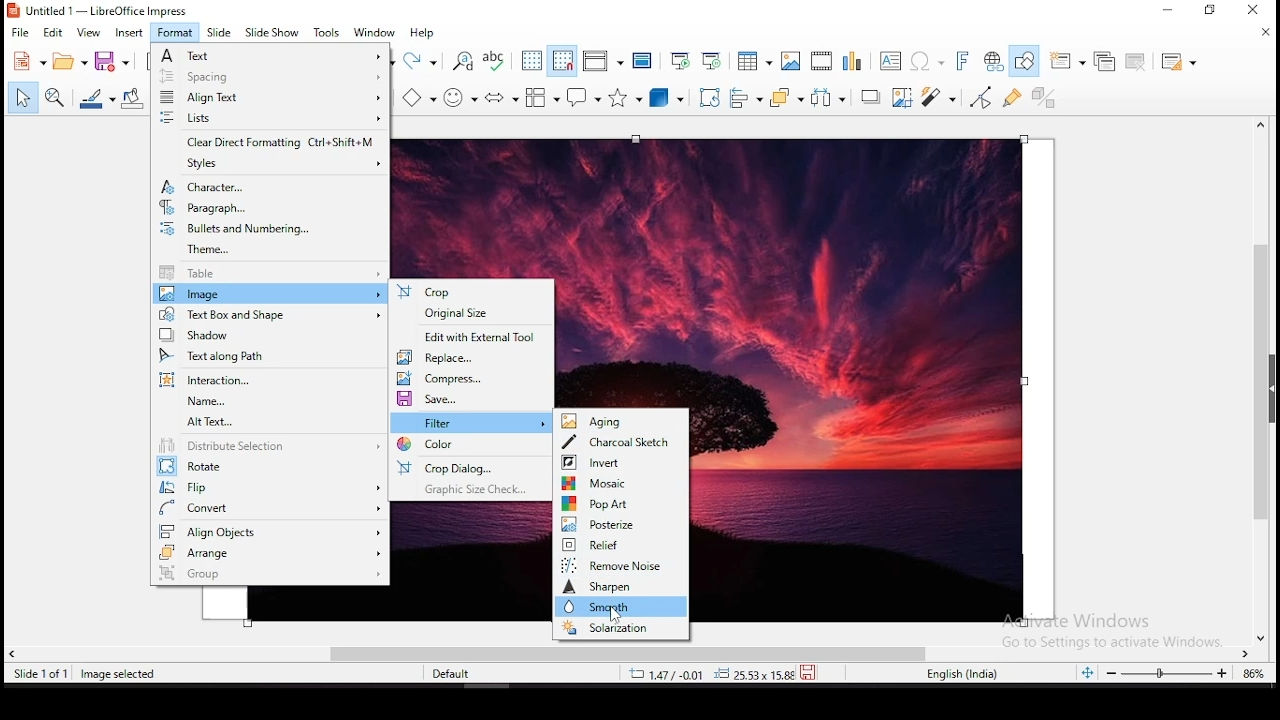  Describe the element at coordinates (749, 674) in the screenshot. I see `0.00x0.00` at that location.